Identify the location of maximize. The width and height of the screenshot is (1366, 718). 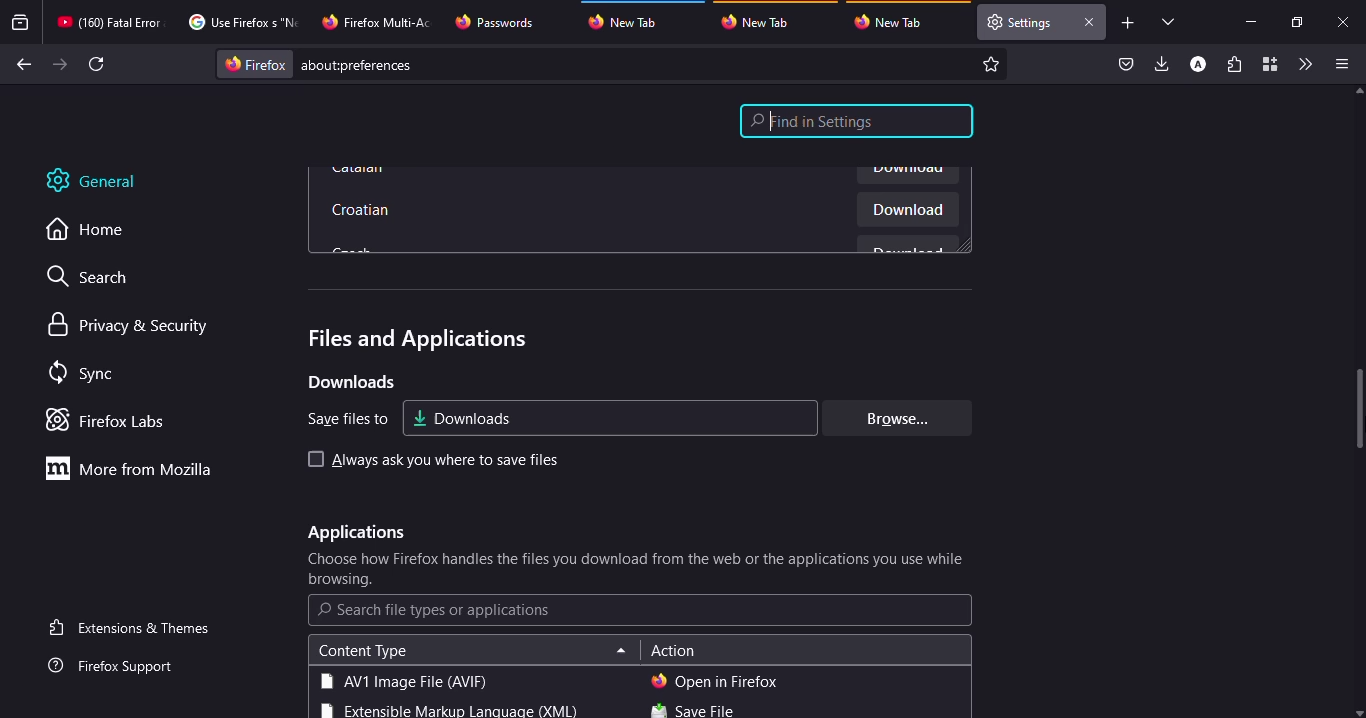
(1295, 22).